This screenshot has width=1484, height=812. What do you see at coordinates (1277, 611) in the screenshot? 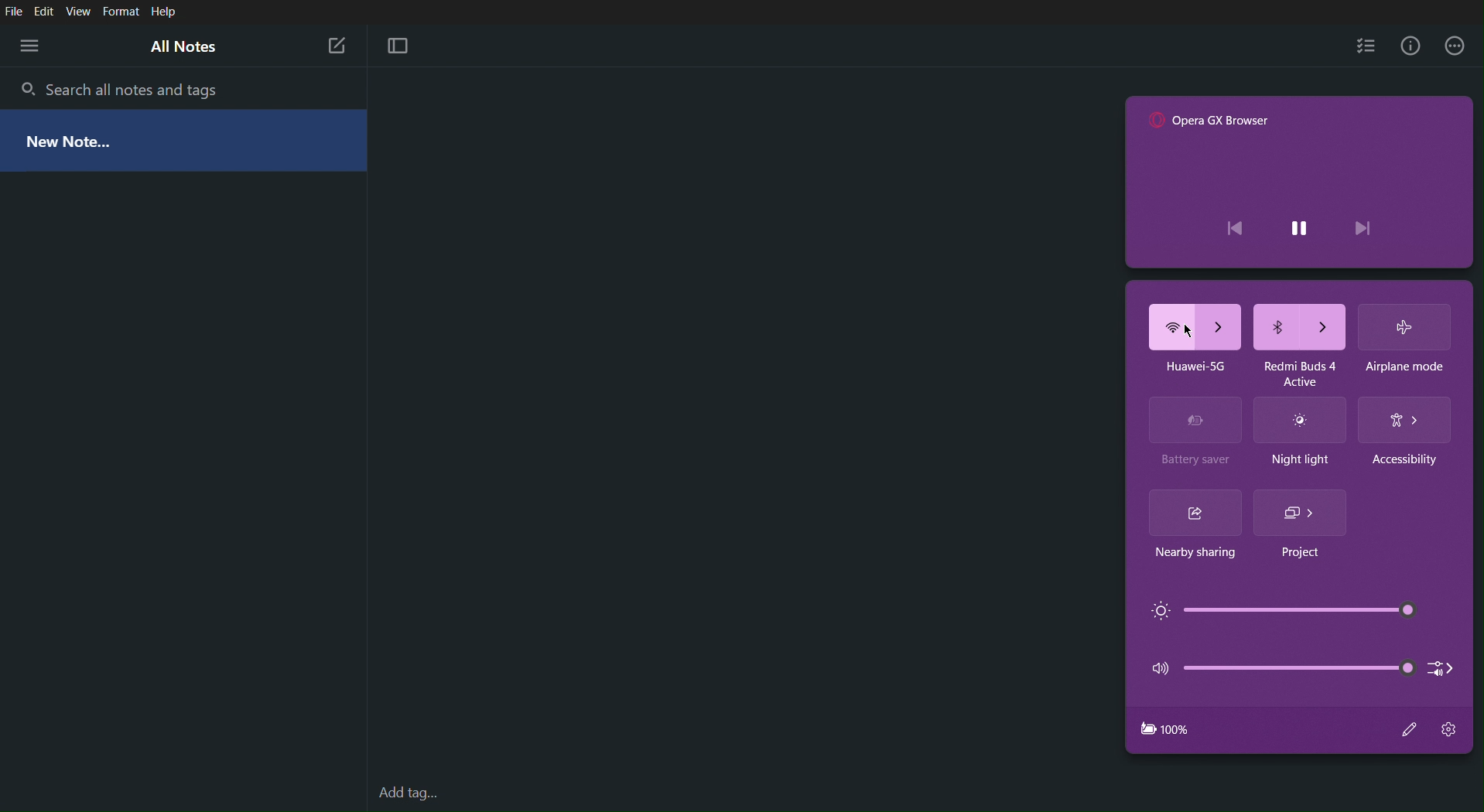
I see `Brightness` at bounding box center [1277, 611].